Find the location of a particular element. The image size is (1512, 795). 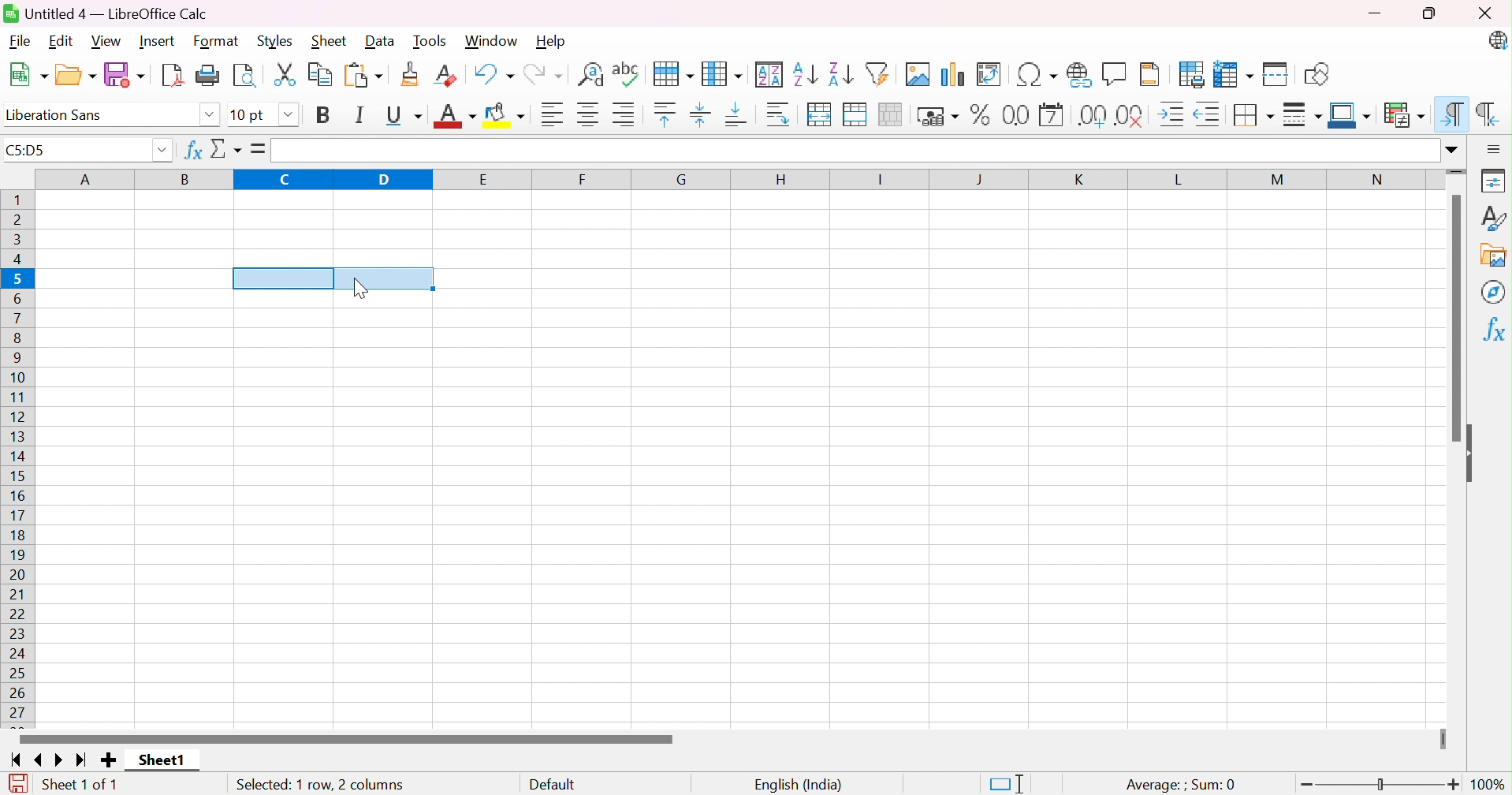

Zoom In is located at coordinates (1454, 785).